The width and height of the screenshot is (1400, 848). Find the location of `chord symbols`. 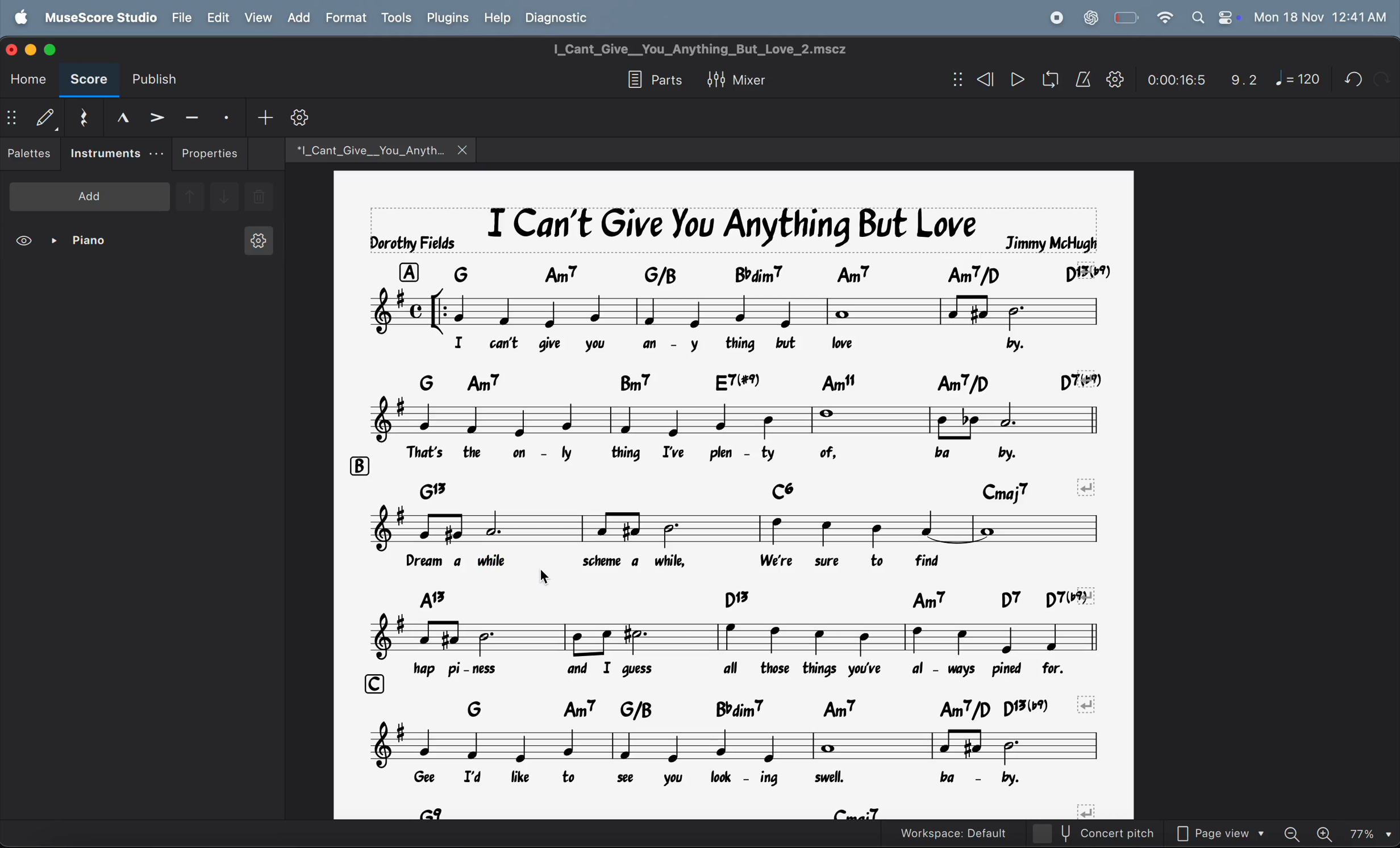

chord symbols is located at coordinates (755, 382).